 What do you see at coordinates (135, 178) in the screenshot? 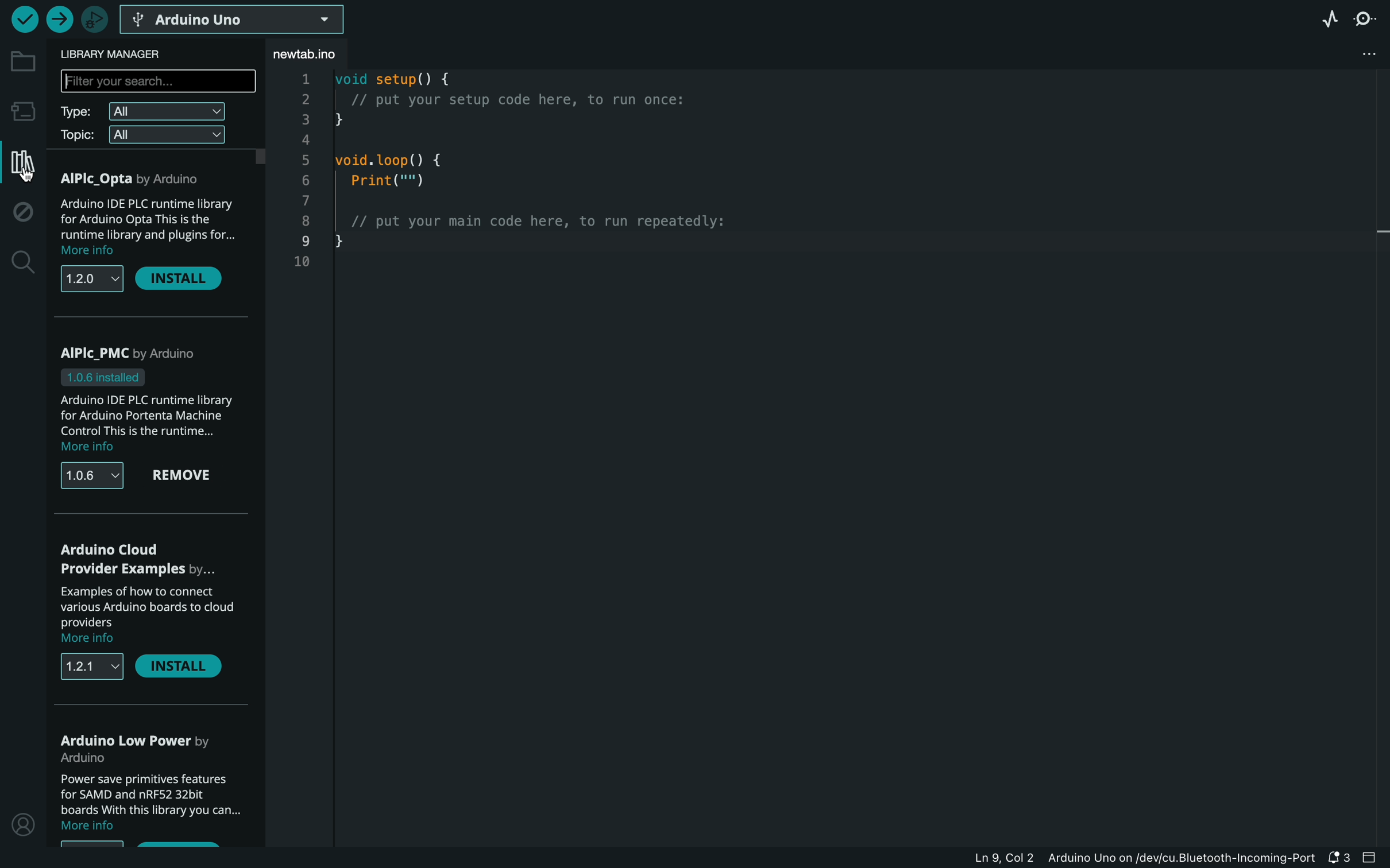
I see `alpc opta` at bounding box center [135, 178].